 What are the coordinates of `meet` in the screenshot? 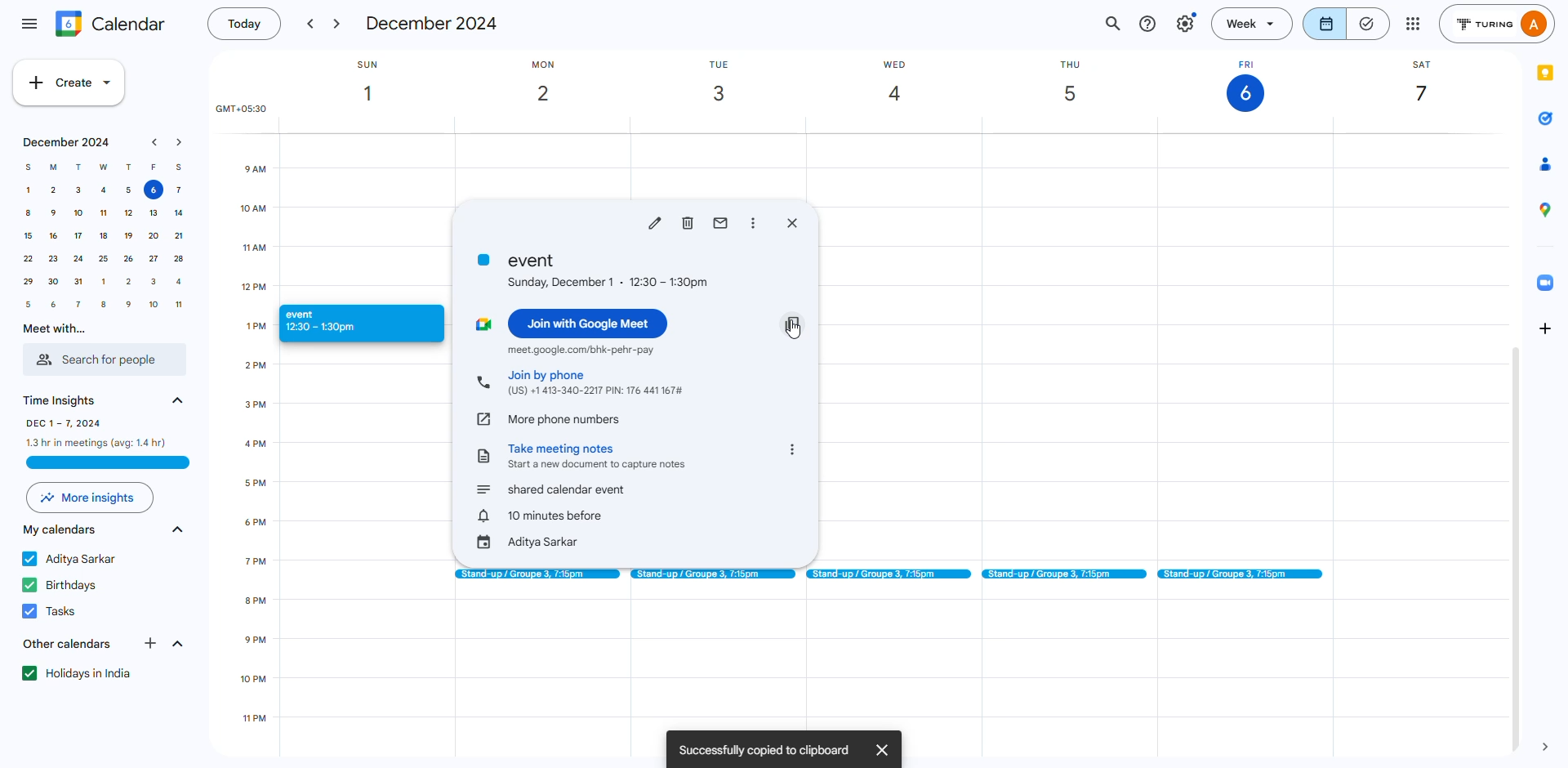 It's located at (50, 329).